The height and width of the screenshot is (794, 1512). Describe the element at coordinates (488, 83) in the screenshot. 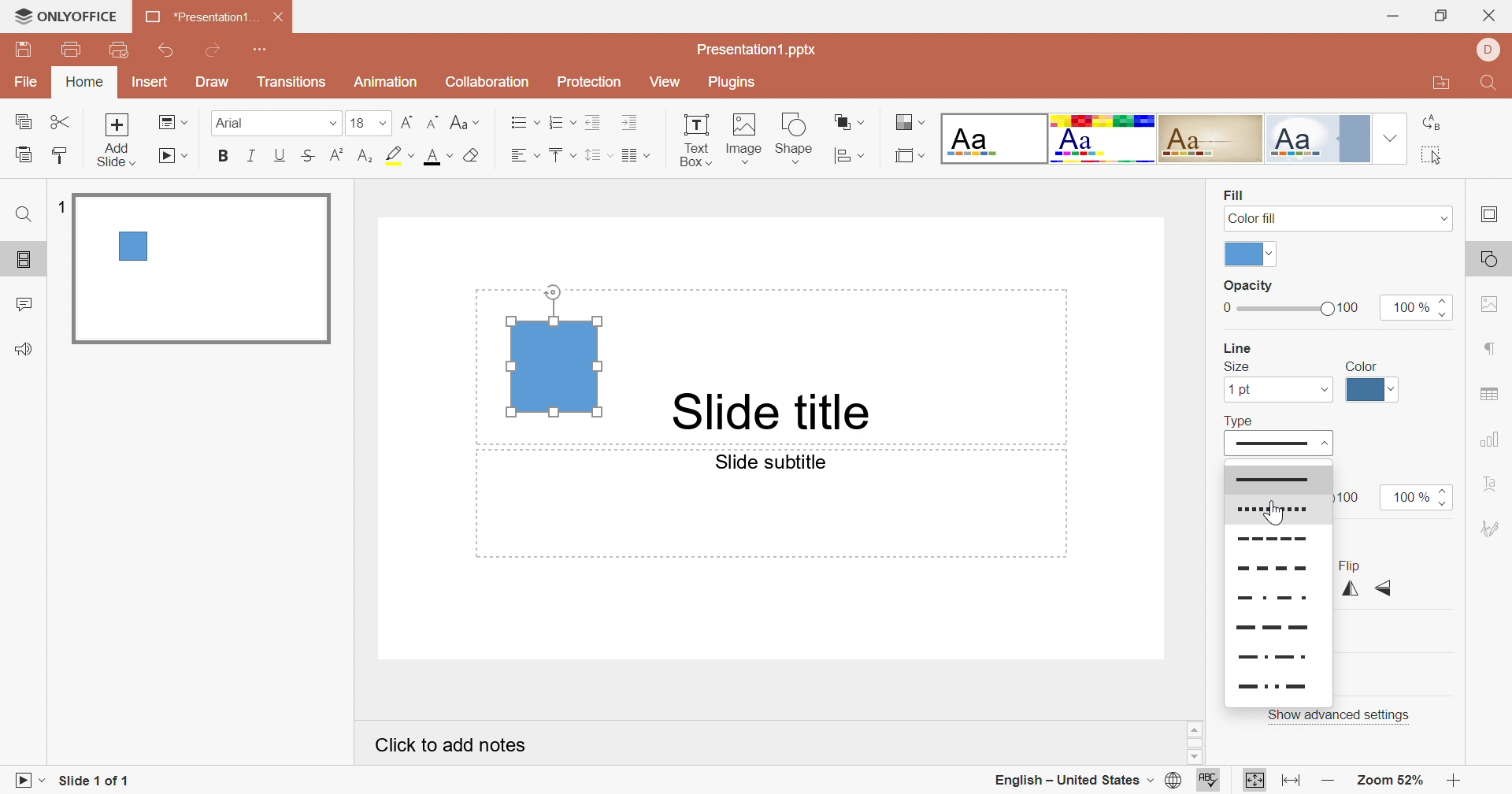

I see `Collaboration` at that location.